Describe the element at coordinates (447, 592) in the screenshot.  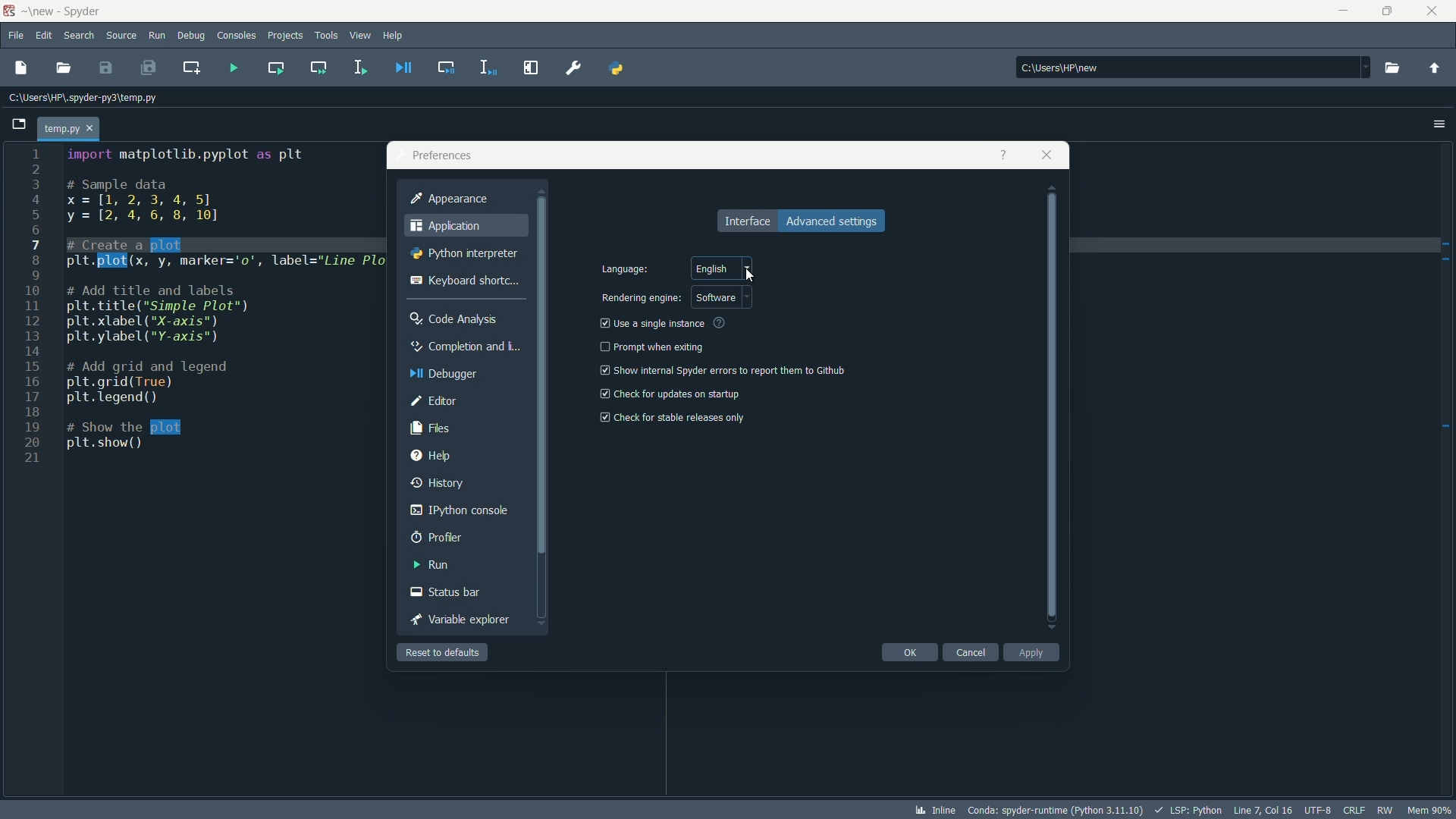
I see `status bar` at that location.